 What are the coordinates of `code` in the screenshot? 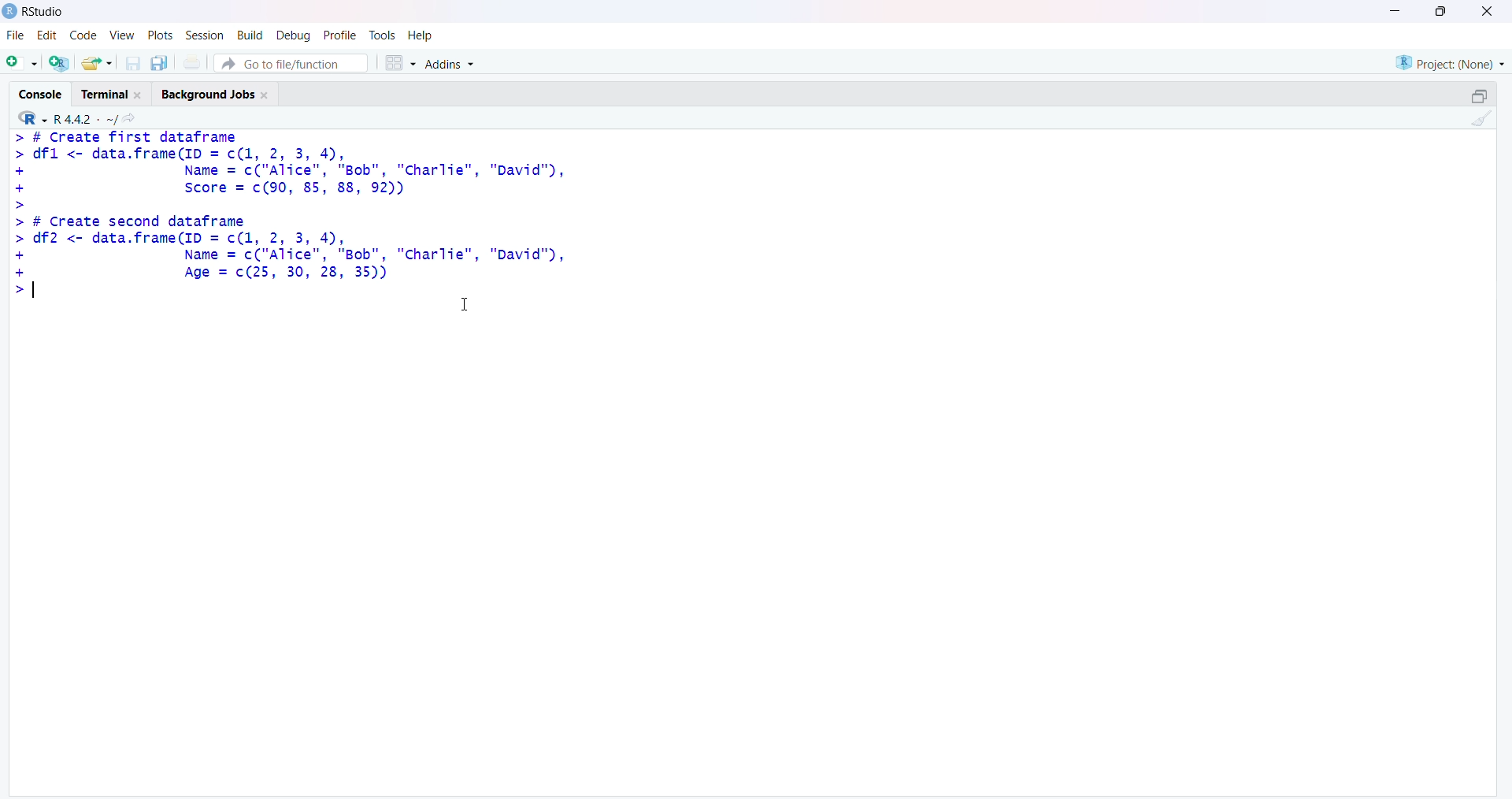 It's located at (84, 35).